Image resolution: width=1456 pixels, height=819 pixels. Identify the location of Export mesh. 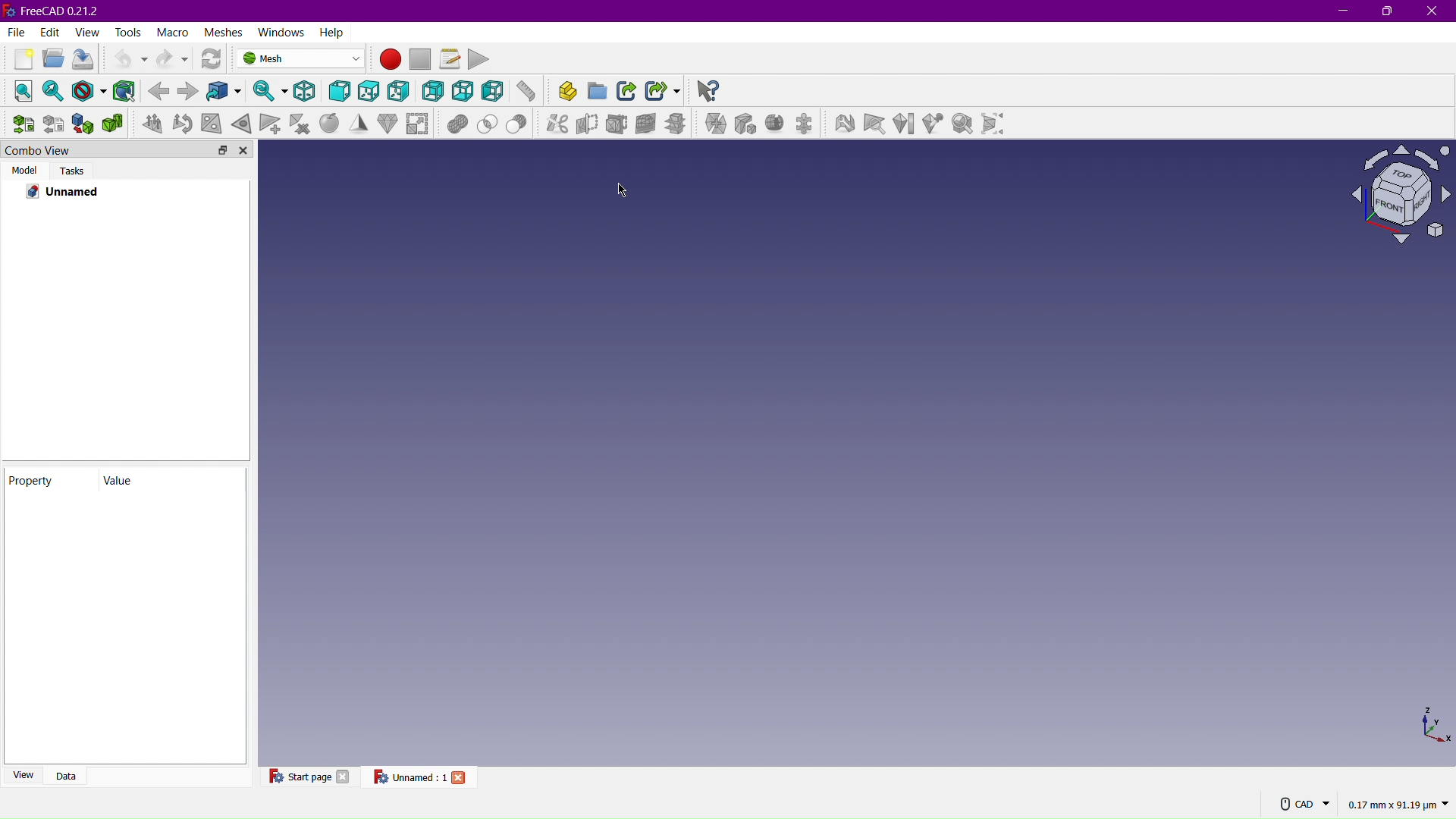
(54, 123).